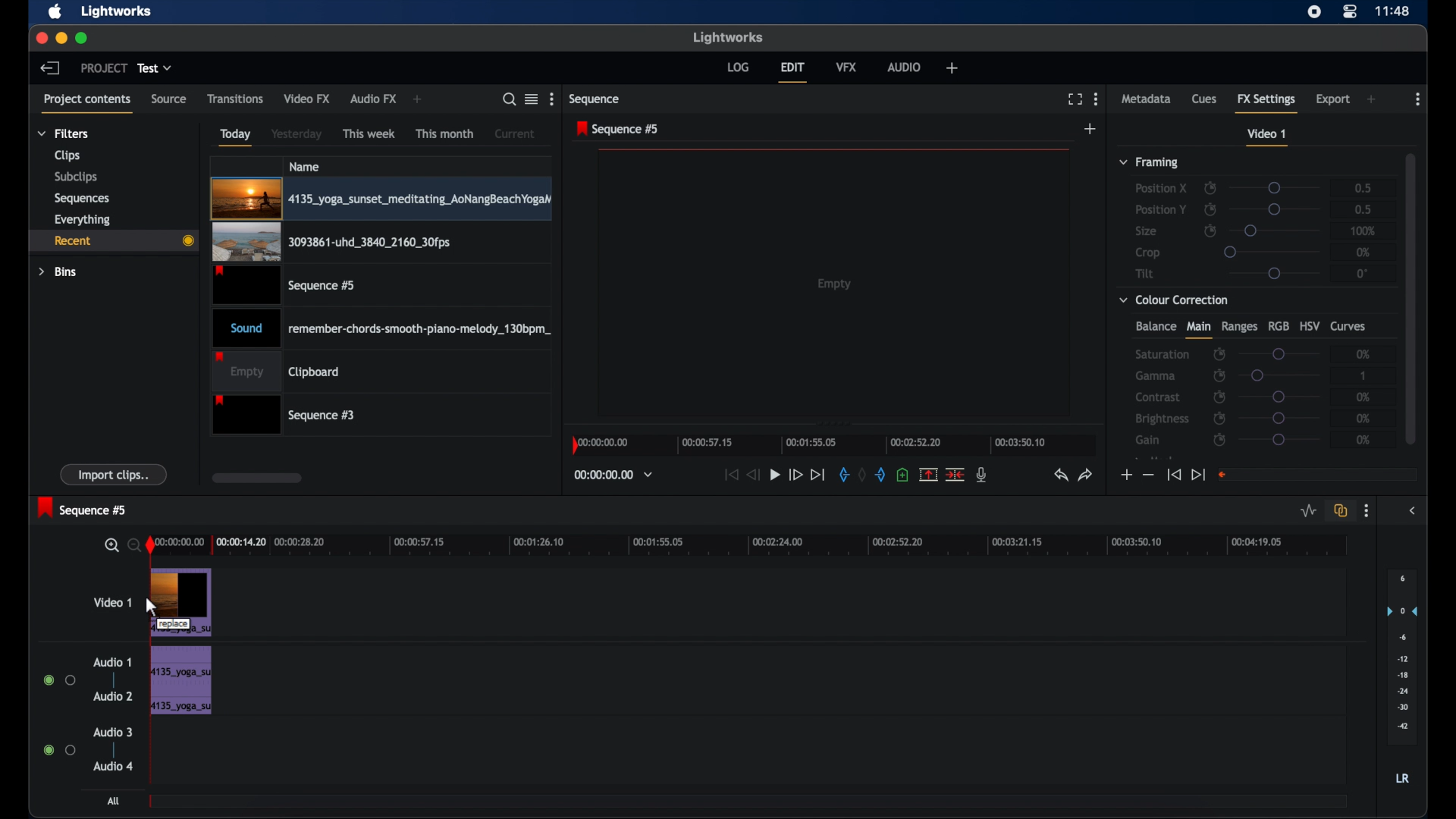 Image resolution: width=1456 pixels, height=819 pixels. I want to click on yesterday, so click(297, 134).